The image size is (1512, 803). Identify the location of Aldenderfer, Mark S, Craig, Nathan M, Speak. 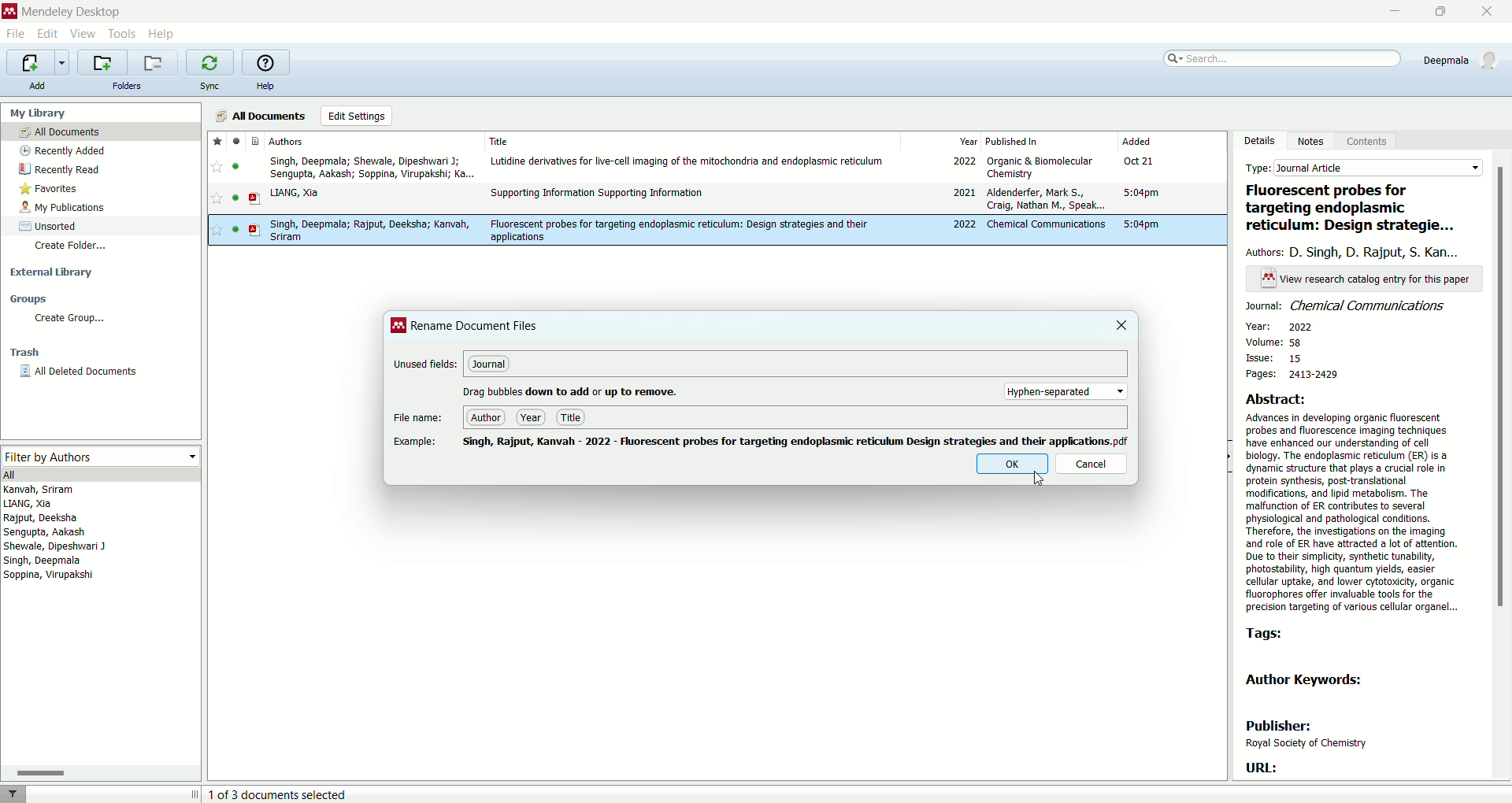
(1044, 200).